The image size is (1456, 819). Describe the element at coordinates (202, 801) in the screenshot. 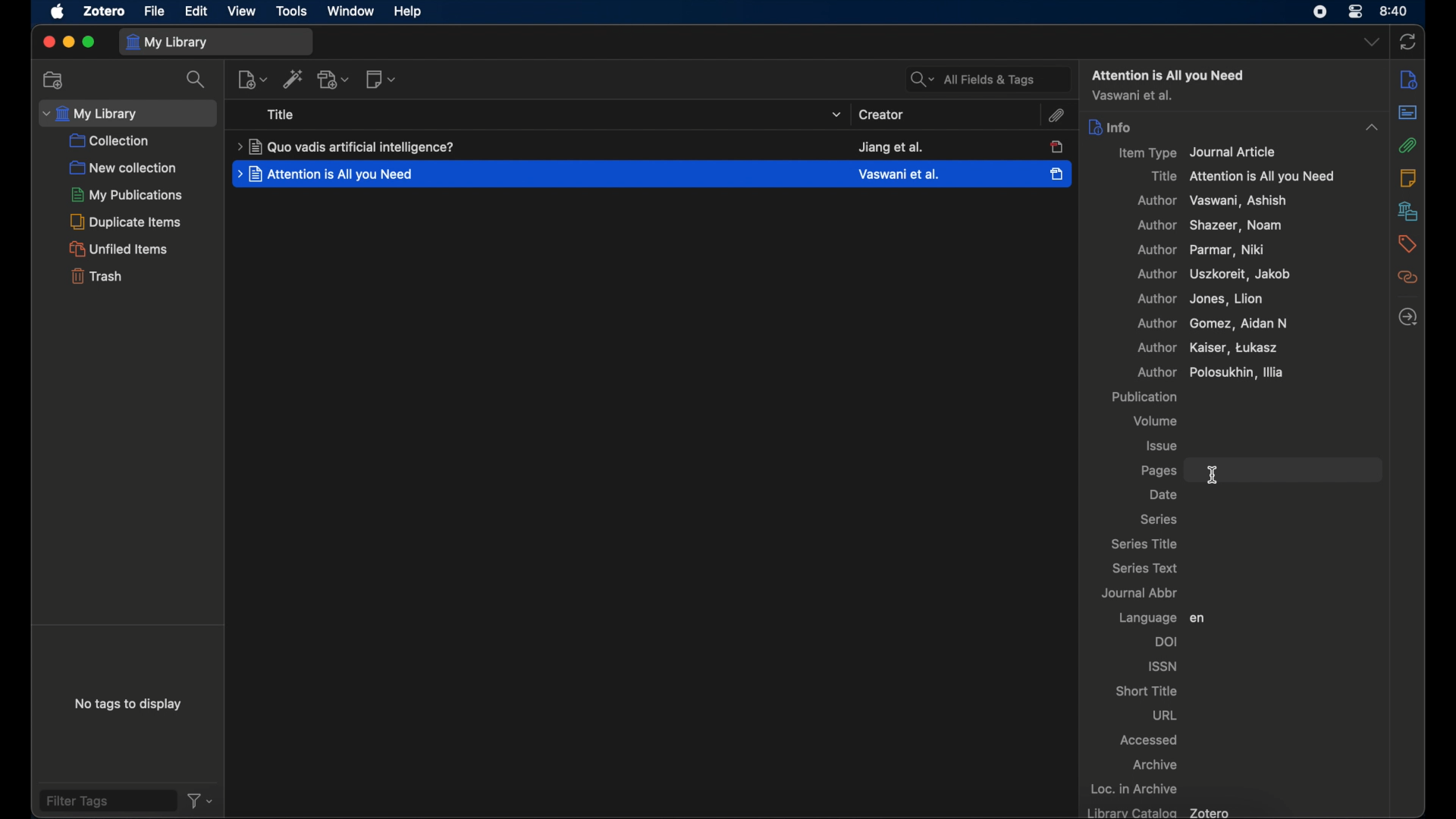

I see `filter dropdown` at that location.